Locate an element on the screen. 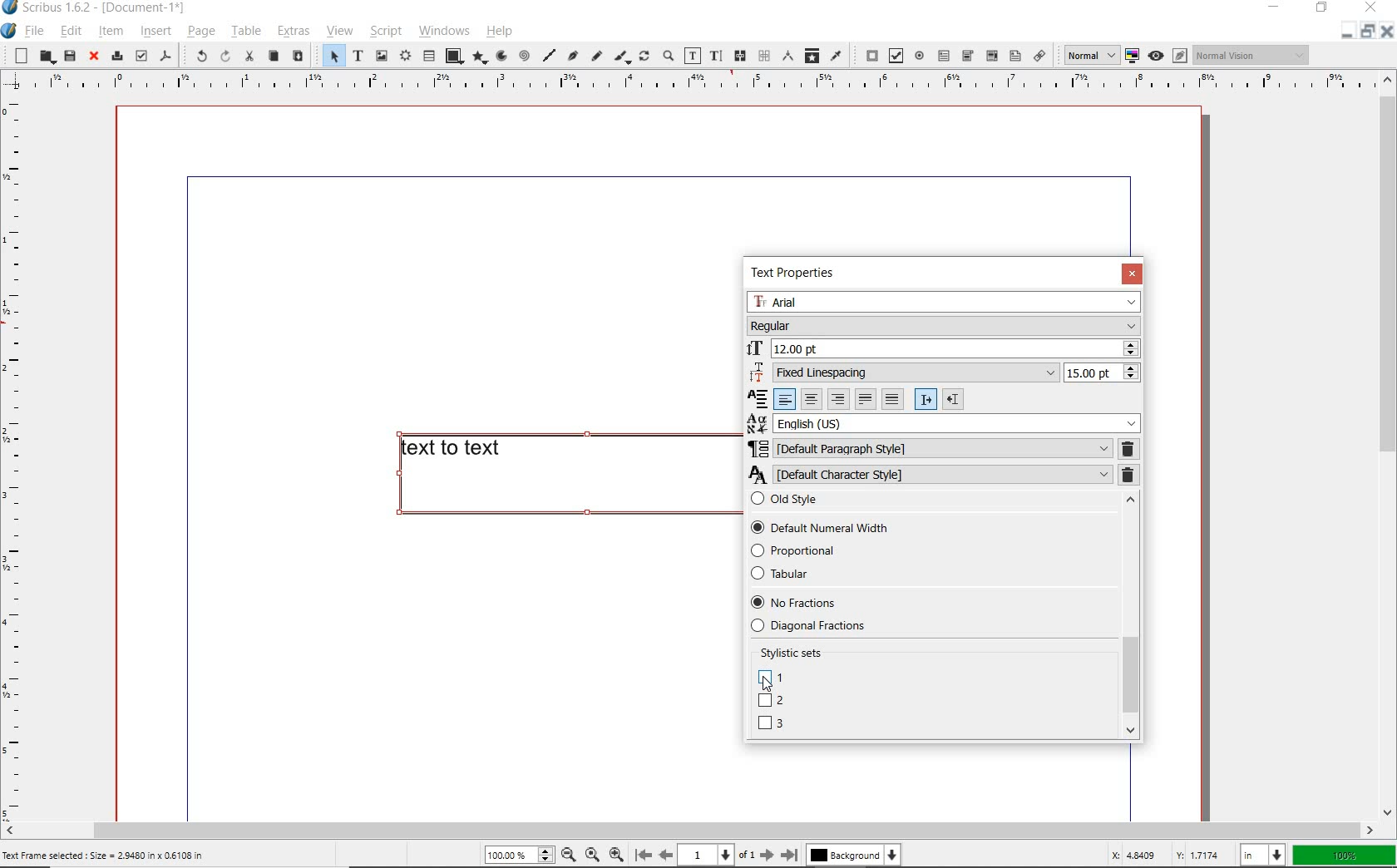  English (US) is located at coordinates (940, 424).